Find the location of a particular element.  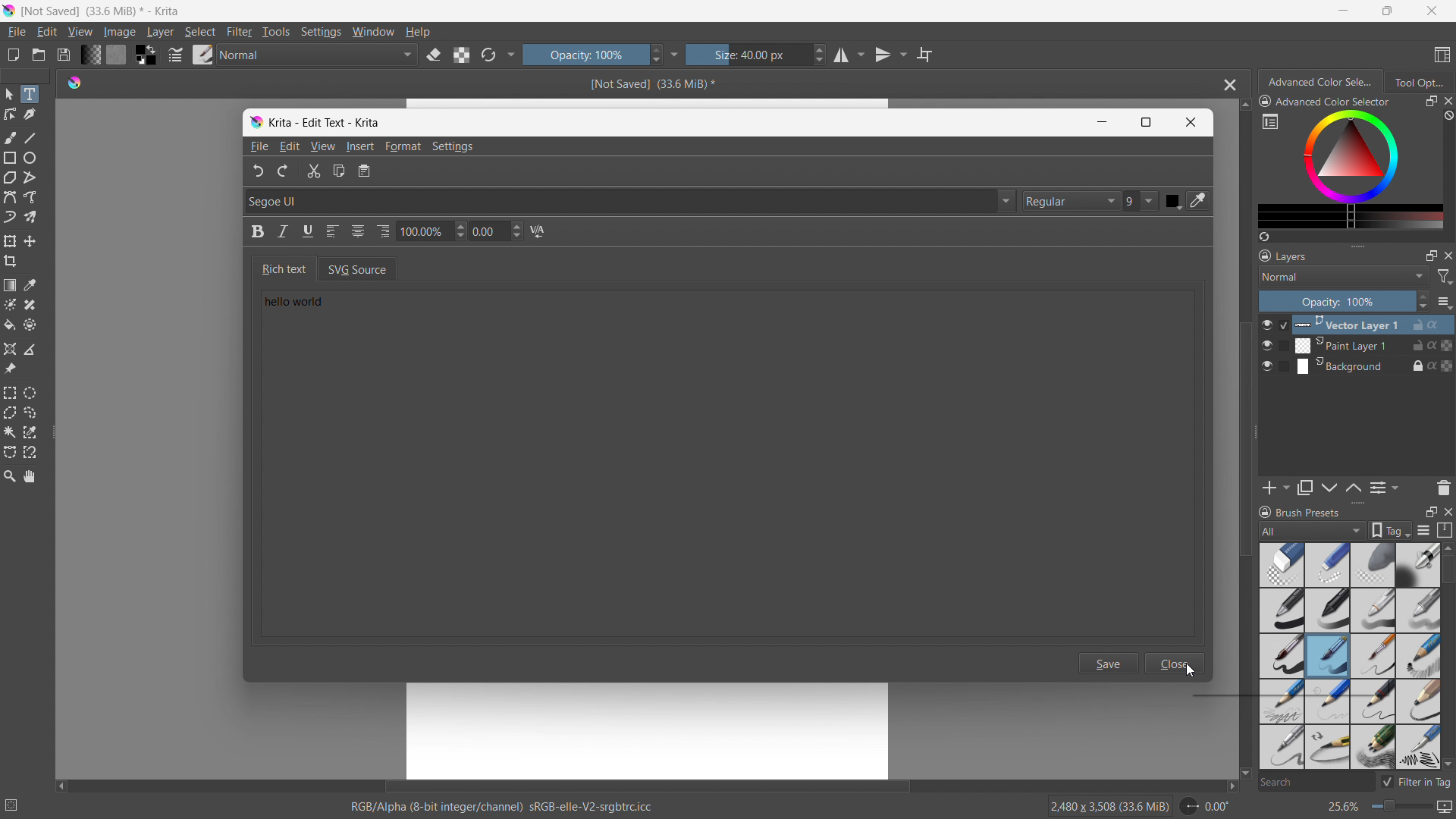

blending mode is located at coordinates (318, 55).